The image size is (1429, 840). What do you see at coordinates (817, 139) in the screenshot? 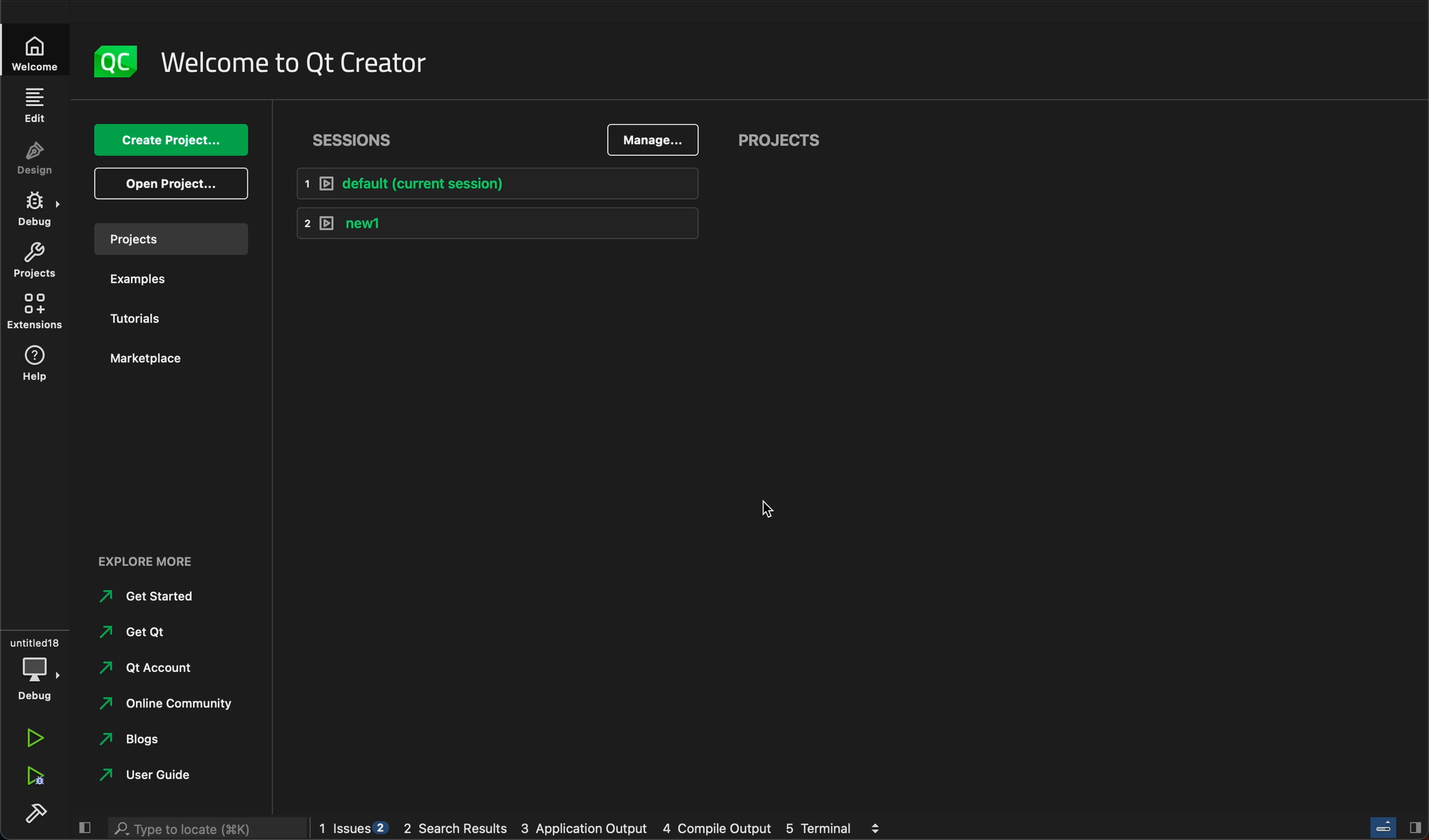
I see `projects` at bounding box center [817, 139].